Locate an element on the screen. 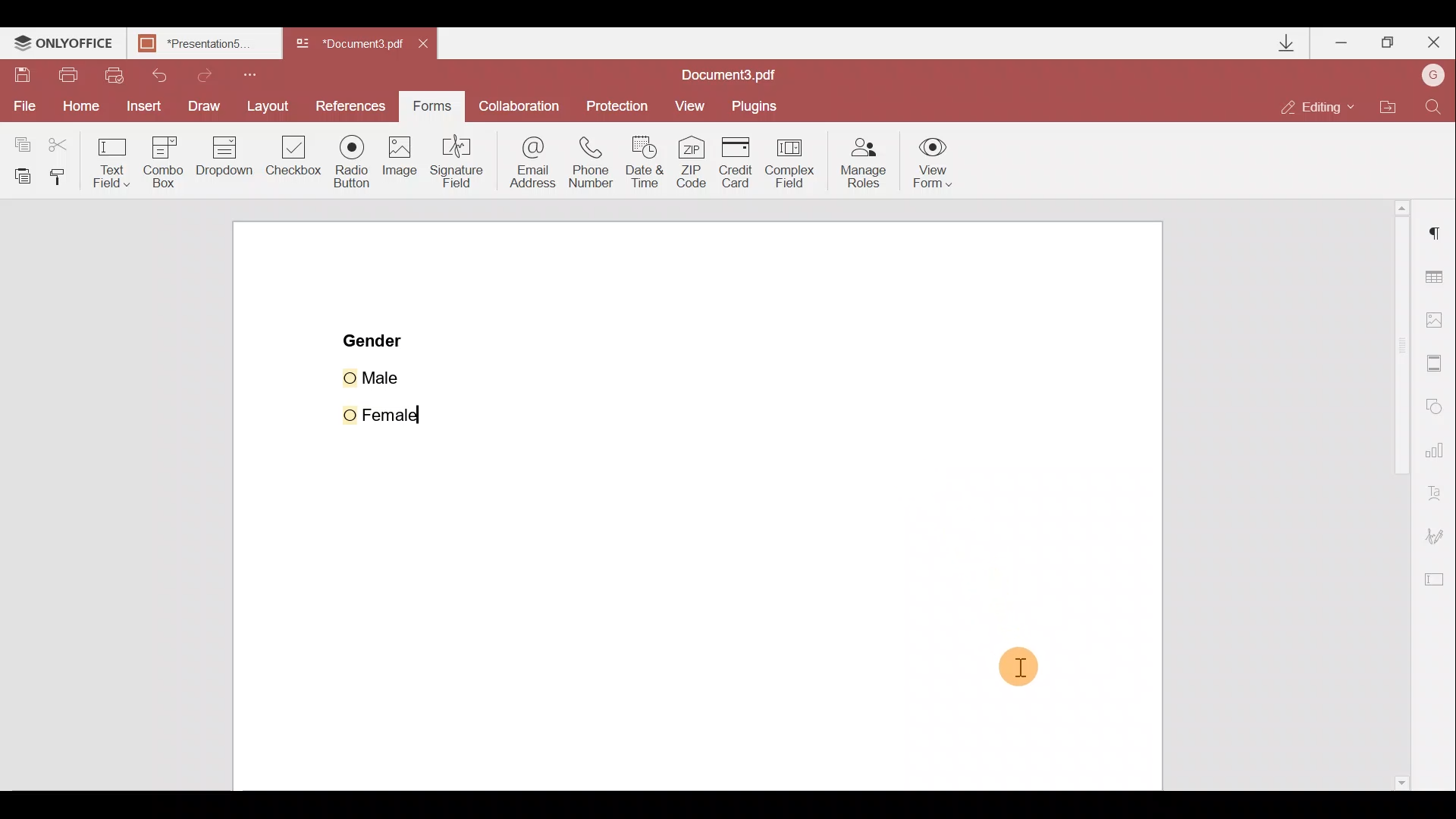  Forms is located at coordinates (436, 106).